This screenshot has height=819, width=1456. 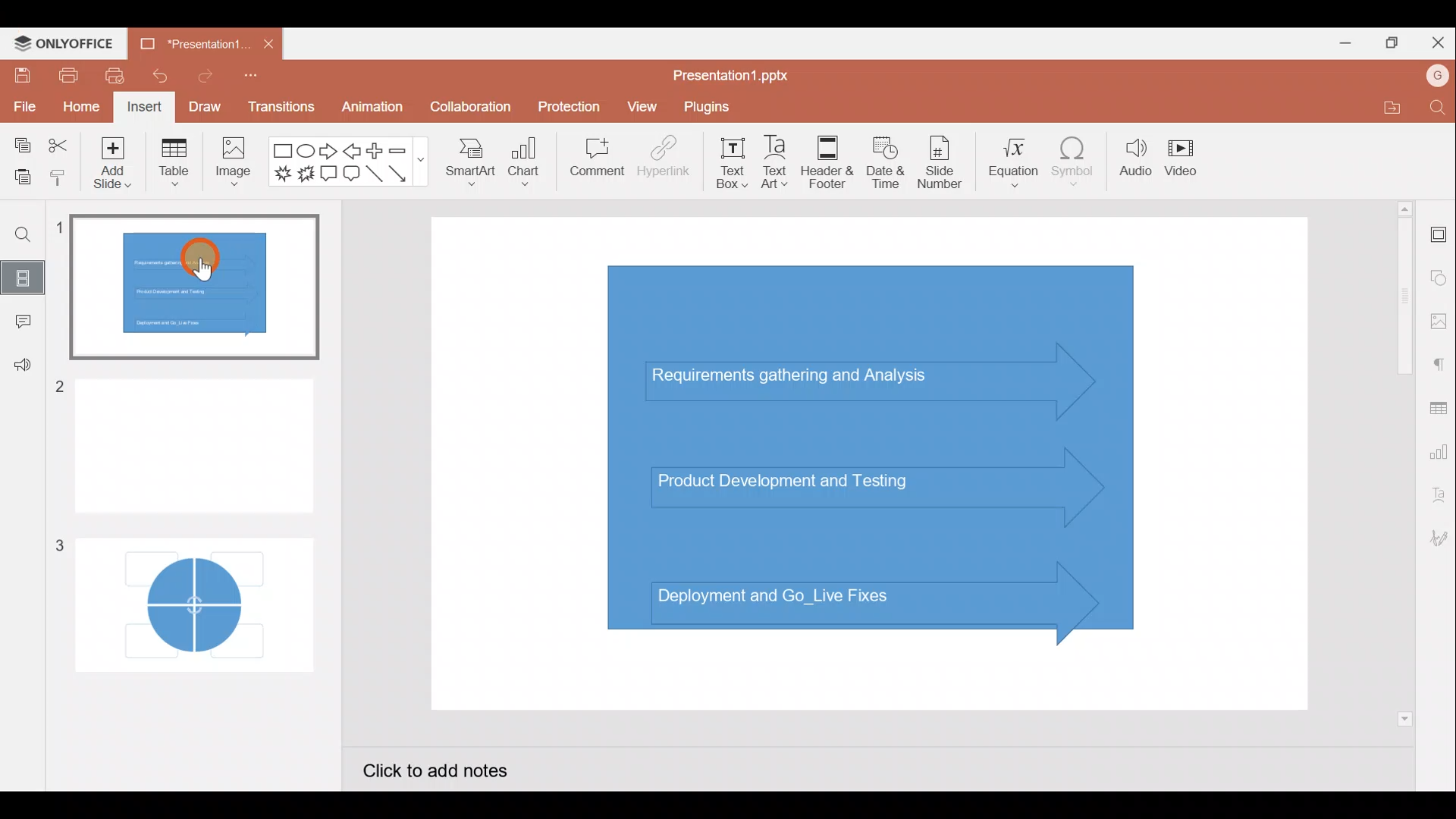 I want to click on Shape settings, so click(x=1439, y=272).